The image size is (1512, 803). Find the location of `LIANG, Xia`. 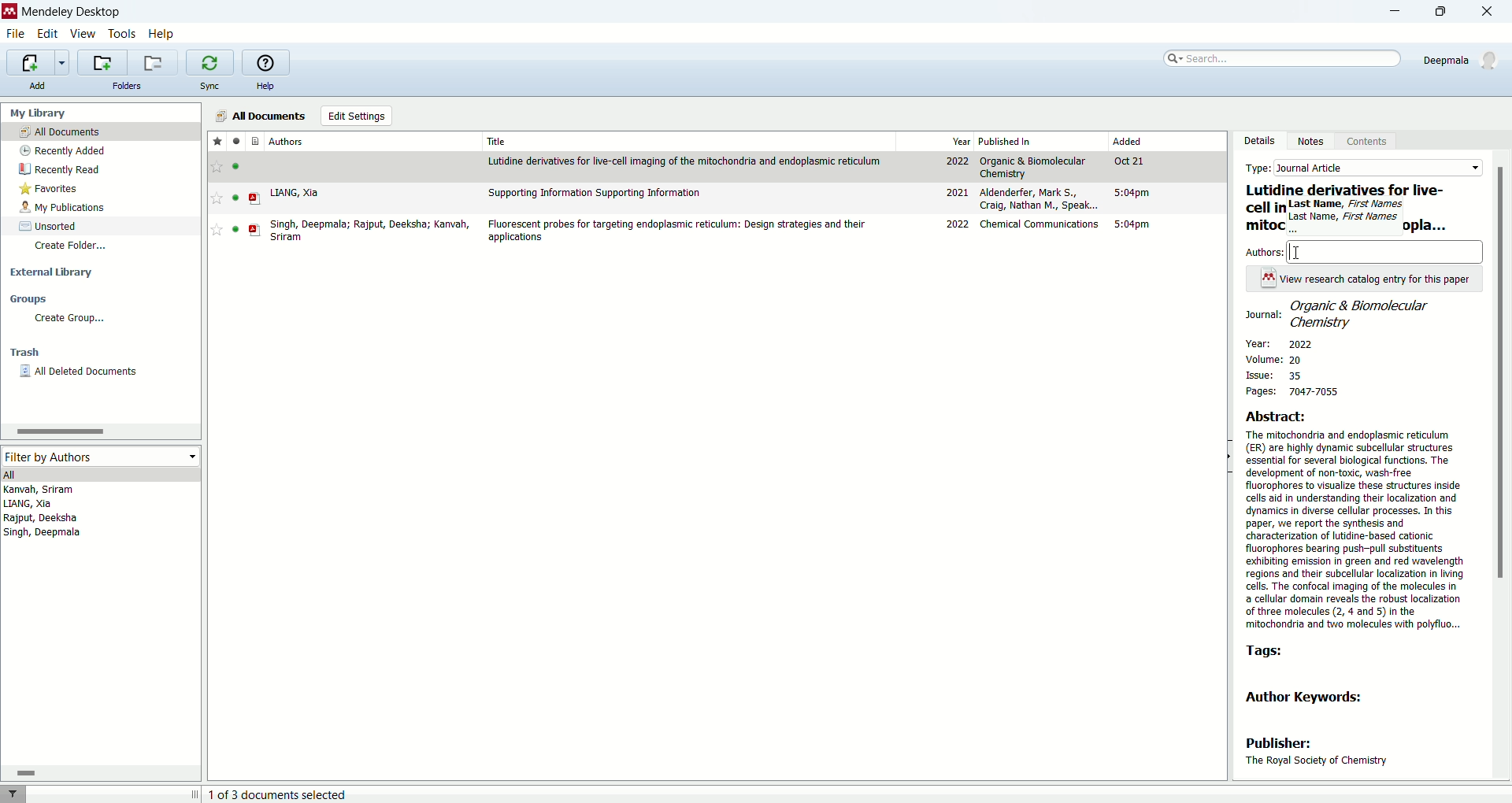

LIANG, Xia is located at coordinates (295, 193).